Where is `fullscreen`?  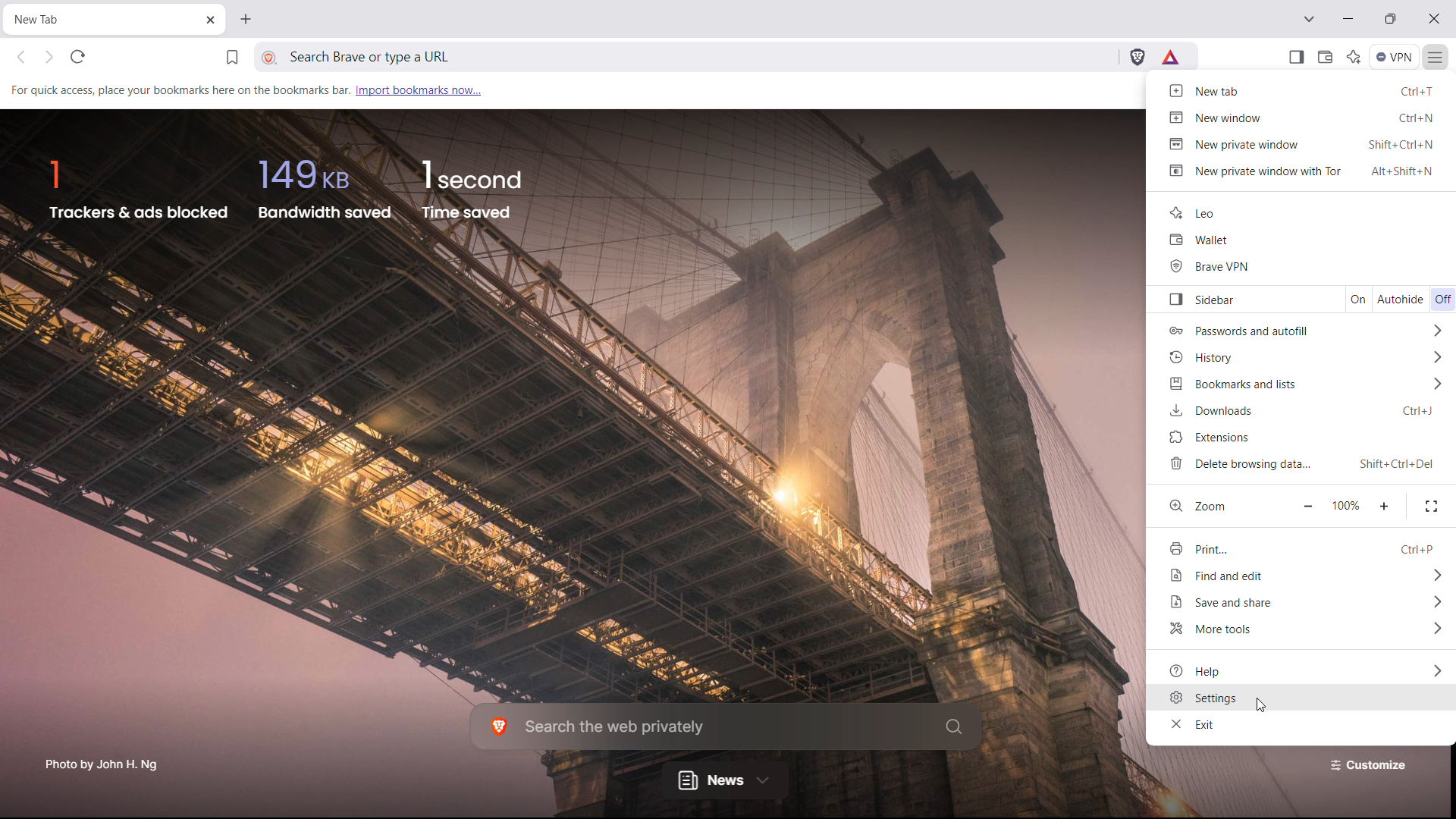
fullscreen is located at coordinates (1431, 504).